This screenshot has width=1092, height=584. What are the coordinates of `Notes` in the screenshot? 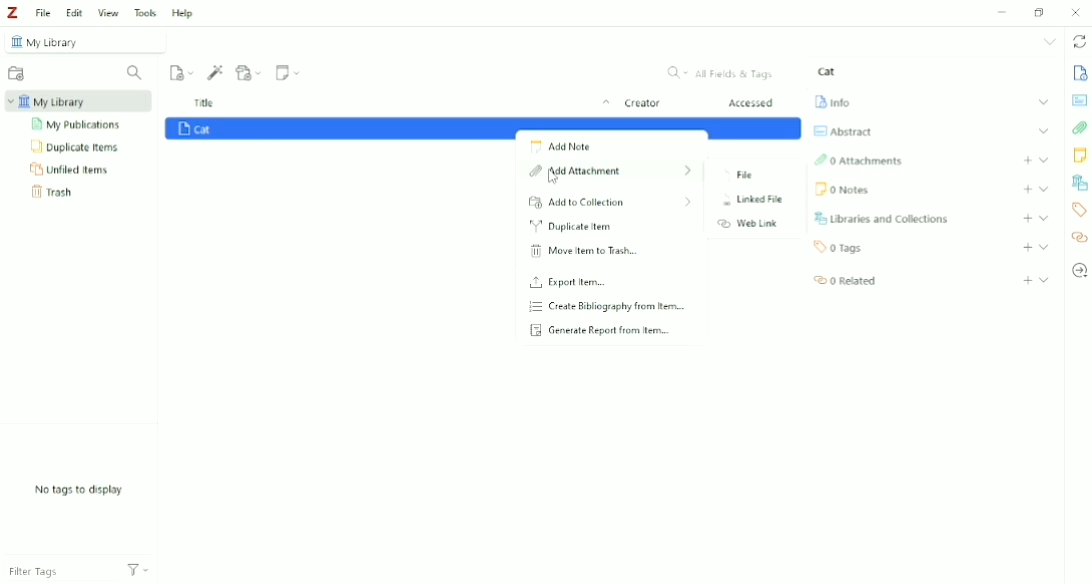 It's located at (1080, 155).